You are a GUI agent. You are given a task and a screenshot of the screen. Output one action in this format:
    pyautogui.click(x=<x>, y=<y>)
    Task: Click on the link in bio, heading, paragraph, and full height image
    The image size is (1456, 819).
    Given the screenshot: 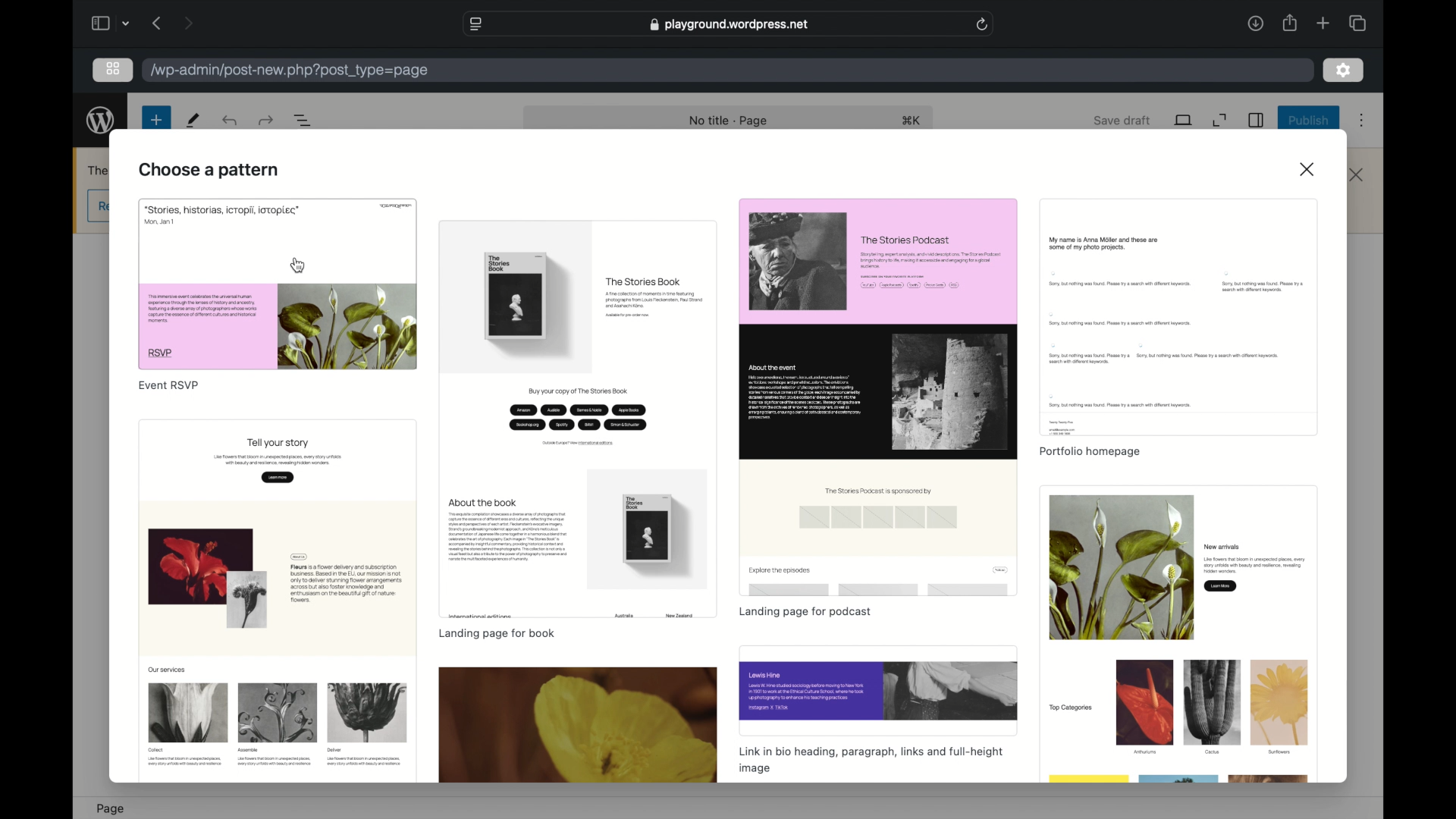 What is the action you would take?
    pyautogui.click(x=871, y=760)
    